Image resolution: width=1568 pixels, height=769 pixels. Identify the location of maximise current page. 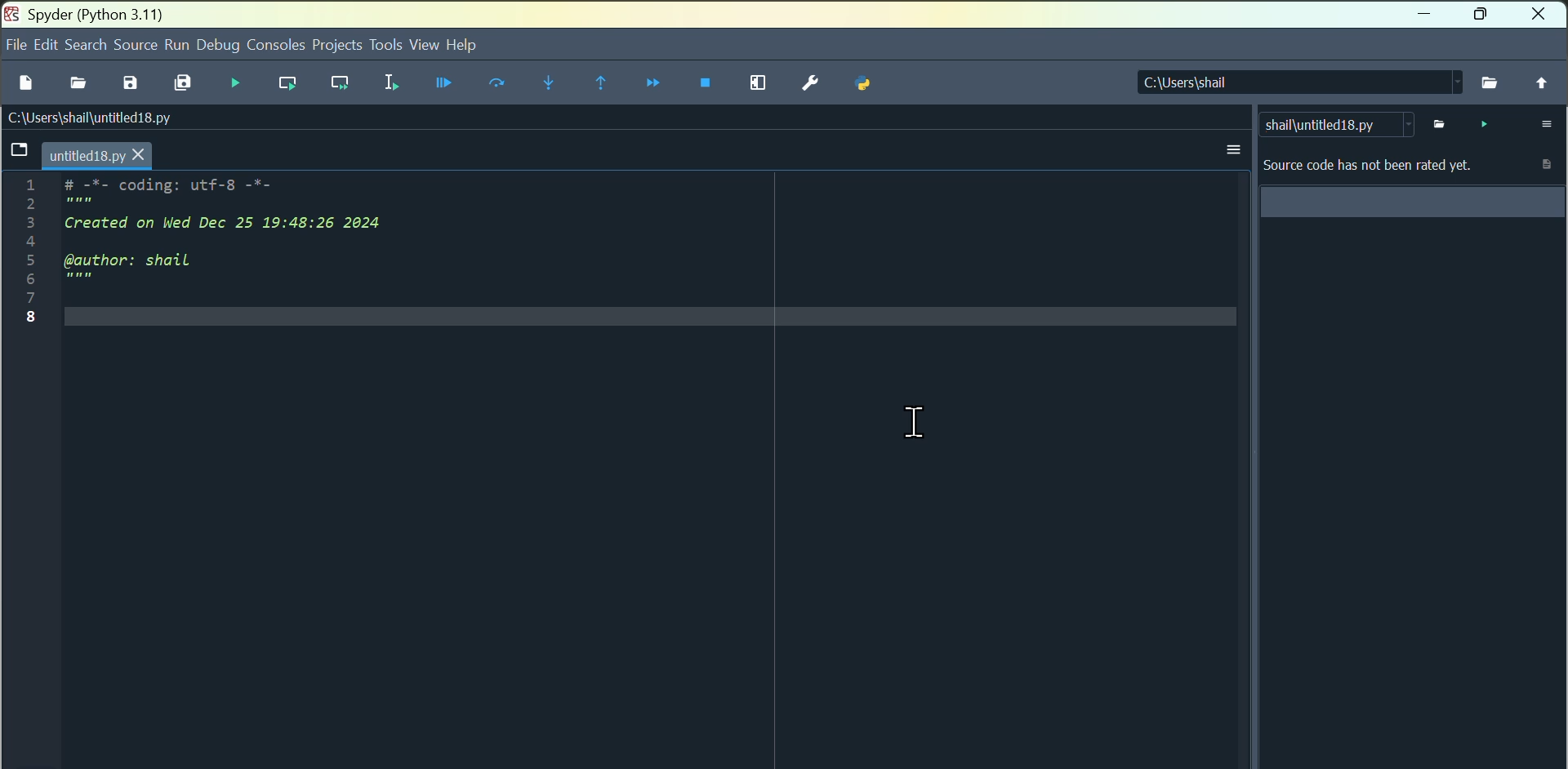
(760, 84).